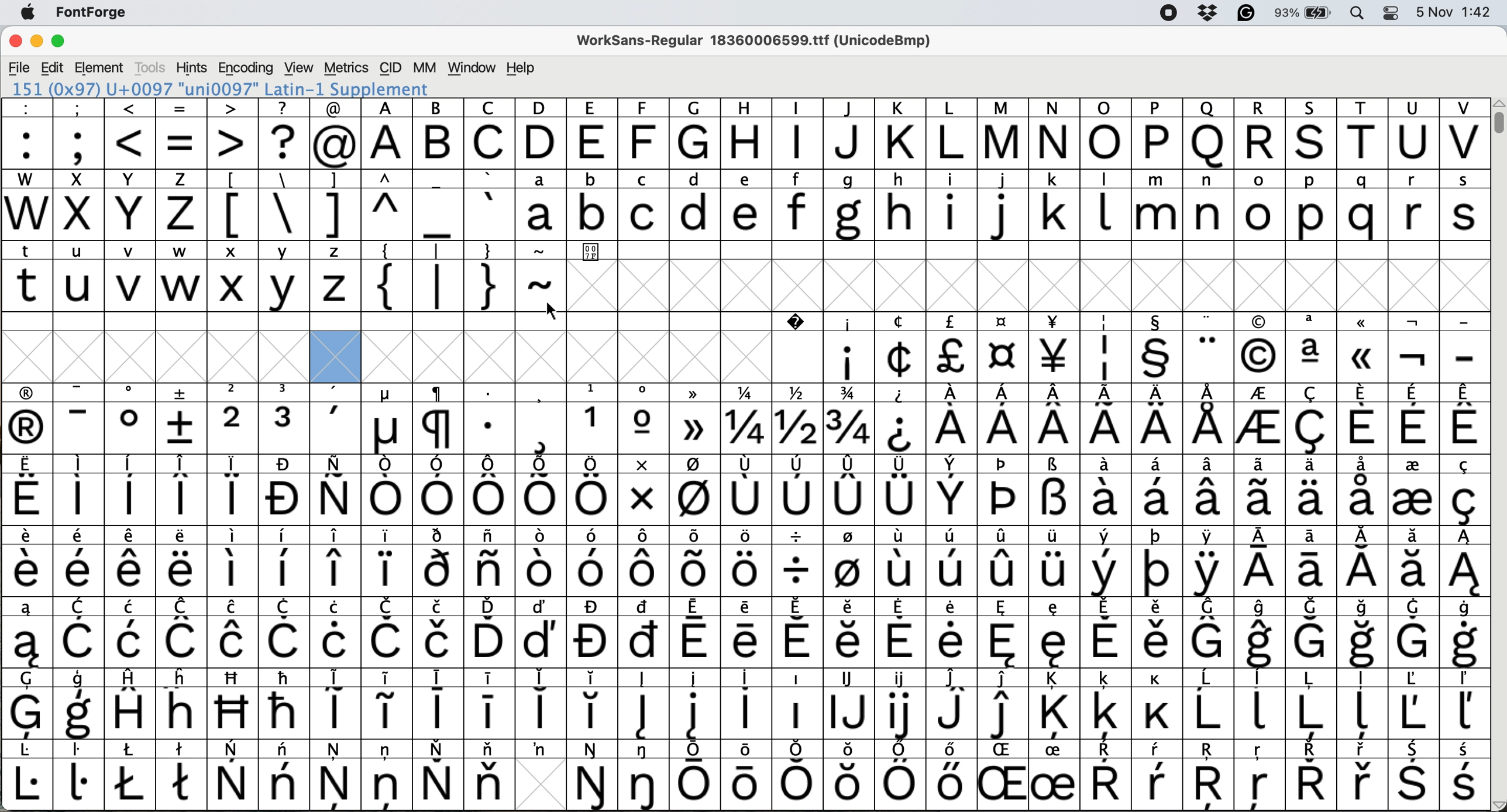  What do you see at coordinates (541, 633) in the screenshot?
I see `symbol` at bounding box center [541, 633].